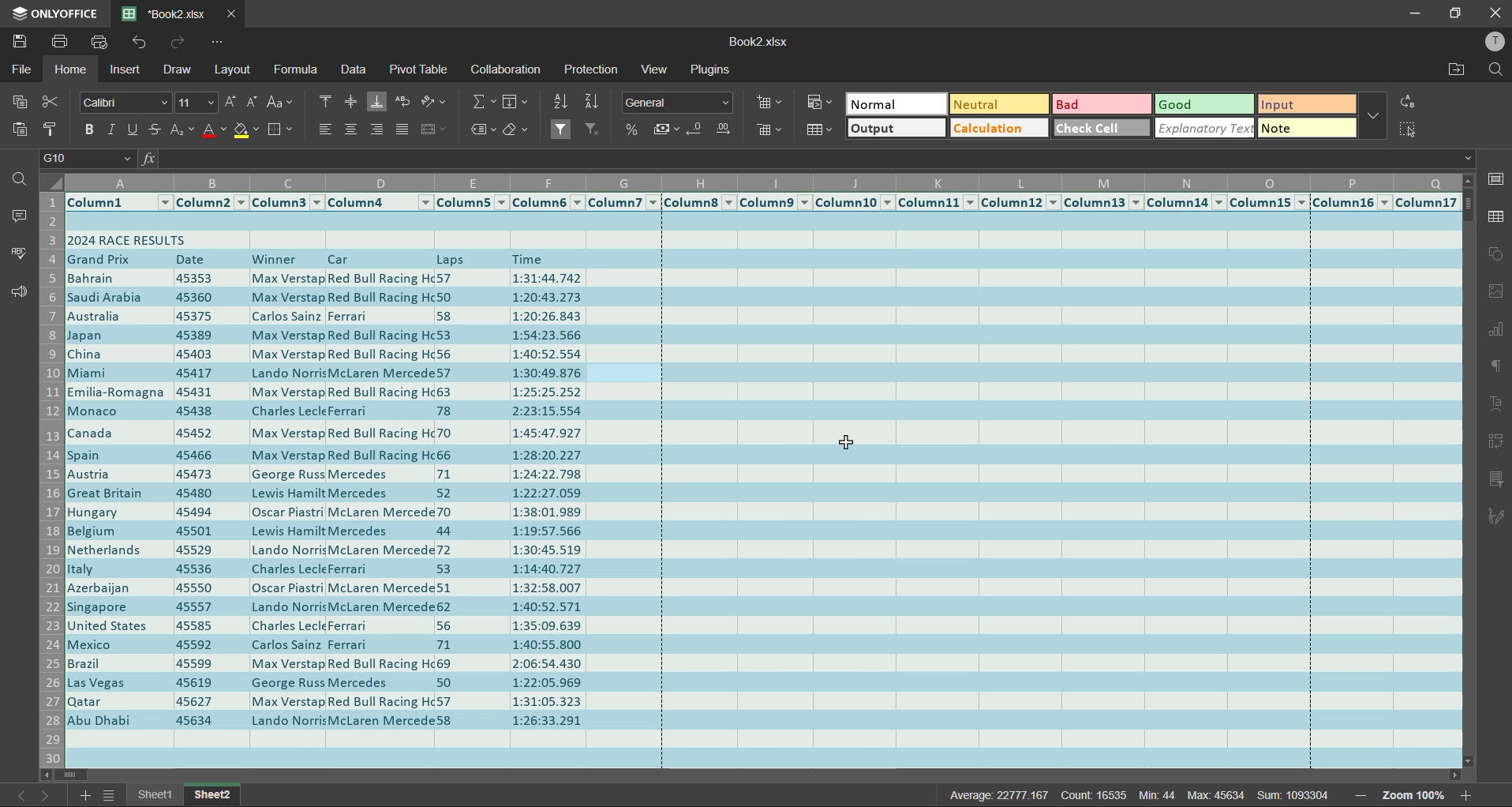 Image resolution: width=1512 pixels, height=807 pixels. What do you see at coordinates (623, 202) in the screenshot?
I see `Column ` at bounding box center [623, 202].